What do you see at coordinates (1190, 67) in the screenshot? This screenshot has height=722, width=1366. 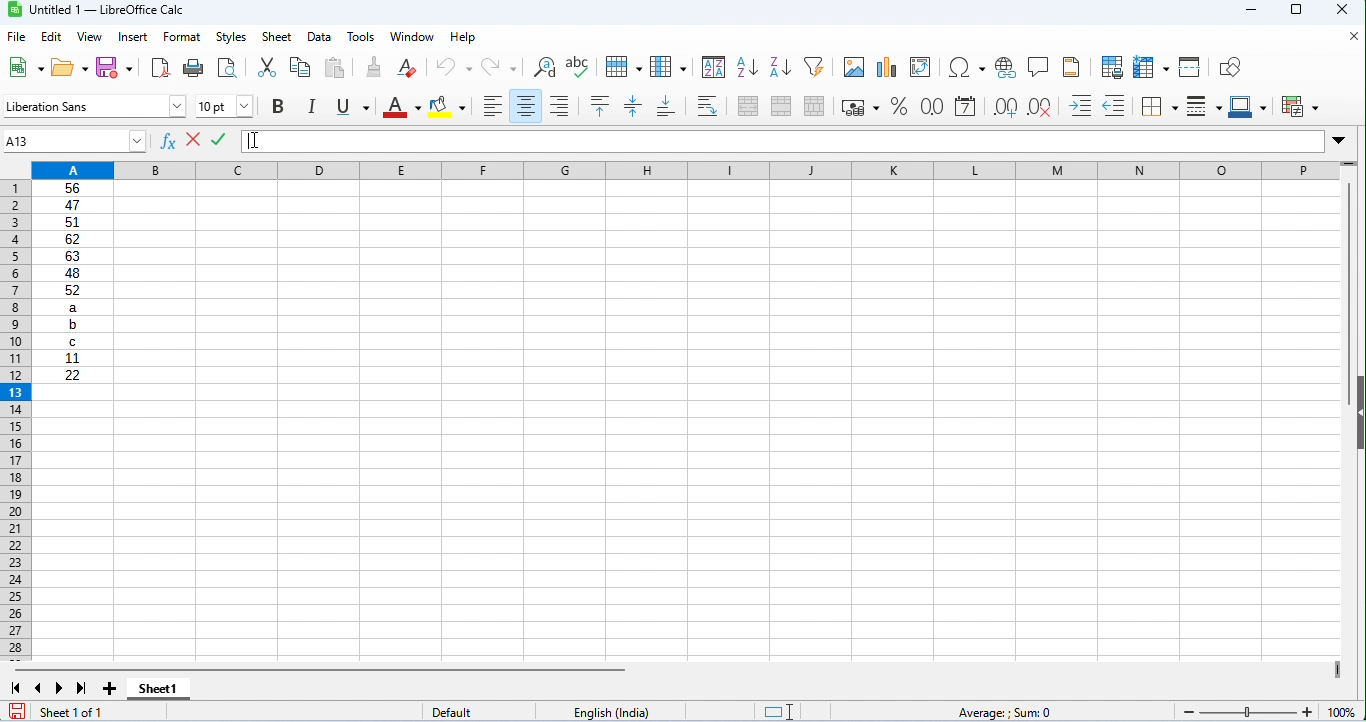 I see `split window` at bounding box center [1190, 67].